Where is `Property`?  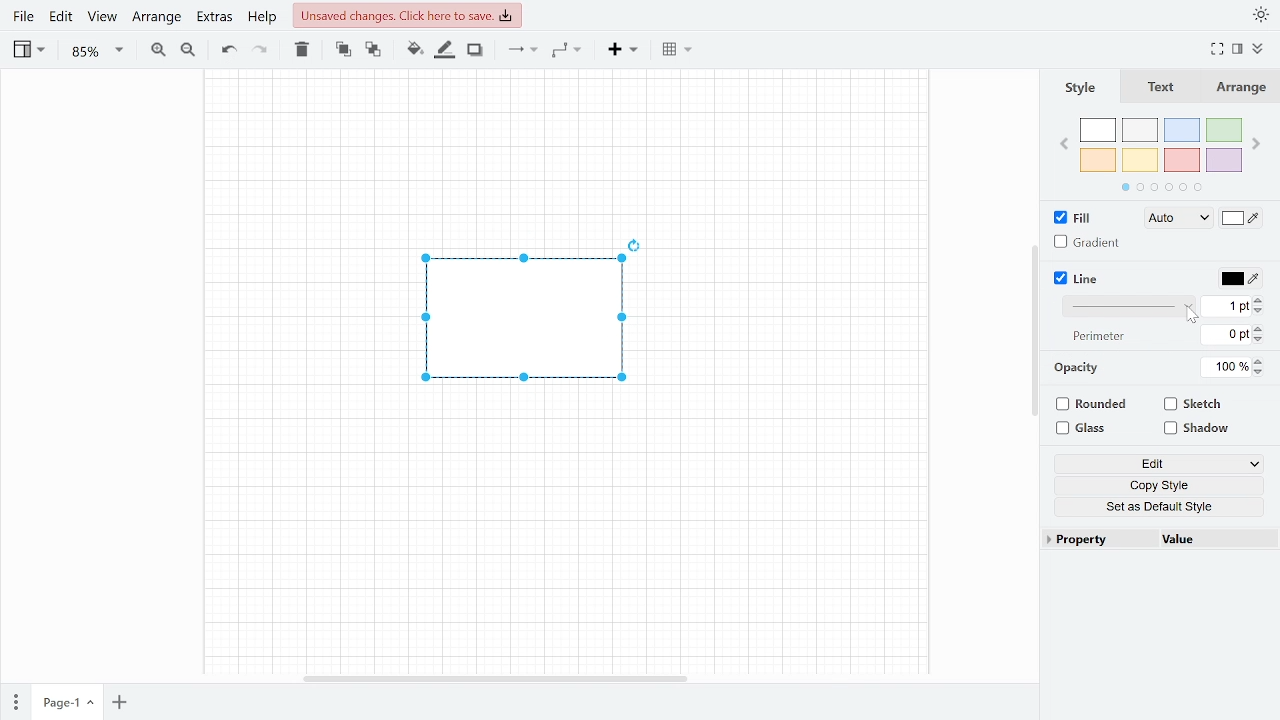
Property is located at coordinates (1092, 542).